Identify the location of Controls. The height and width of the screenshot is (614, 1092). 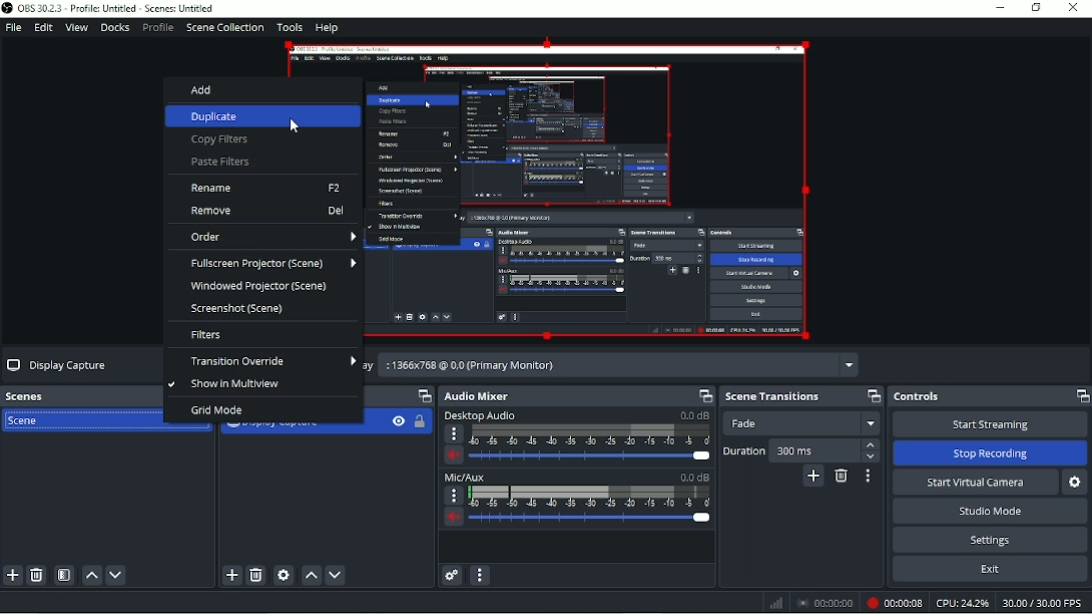
(919, 397).